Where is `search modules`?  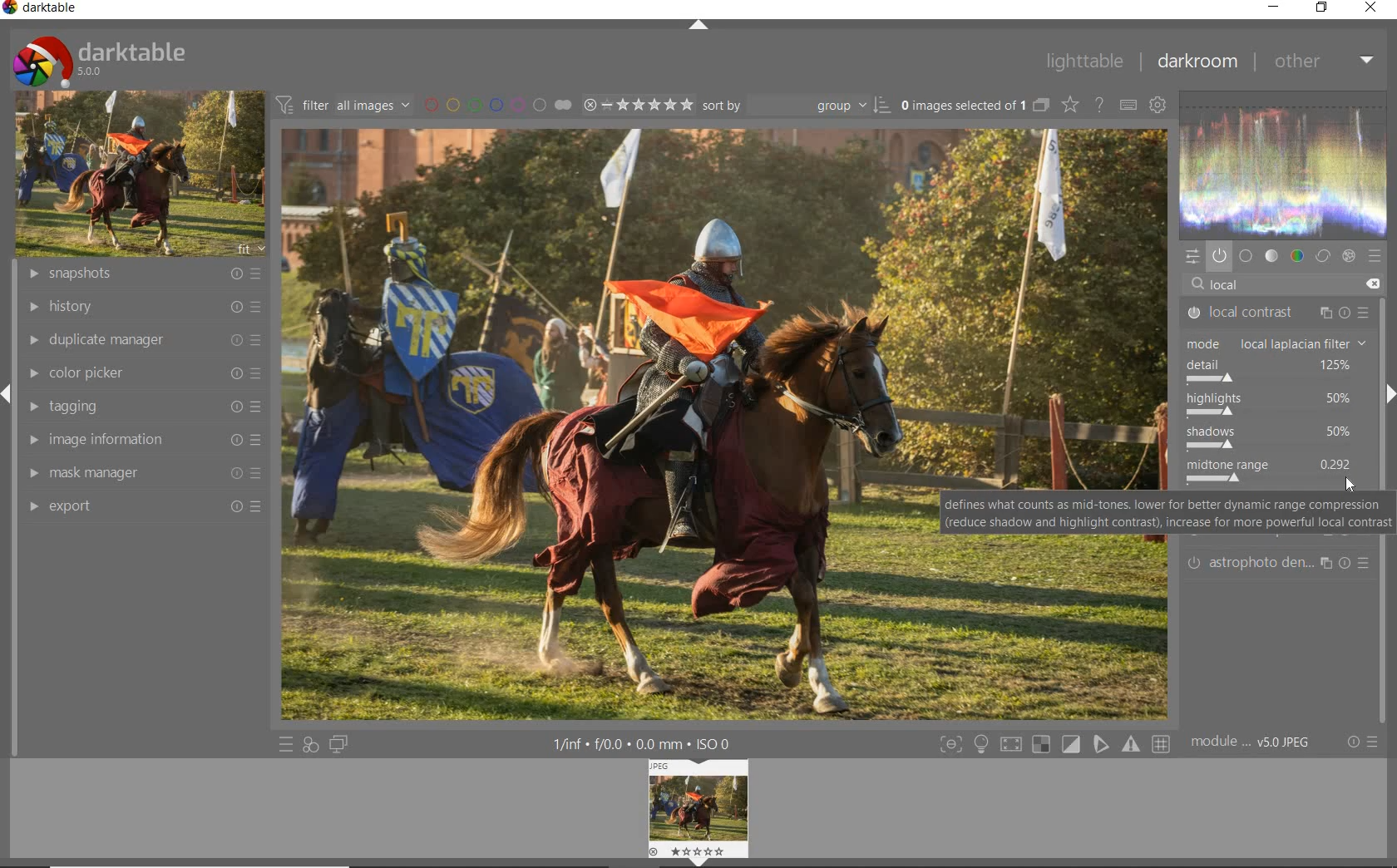 search modules is located at coordinates (1279, 284).